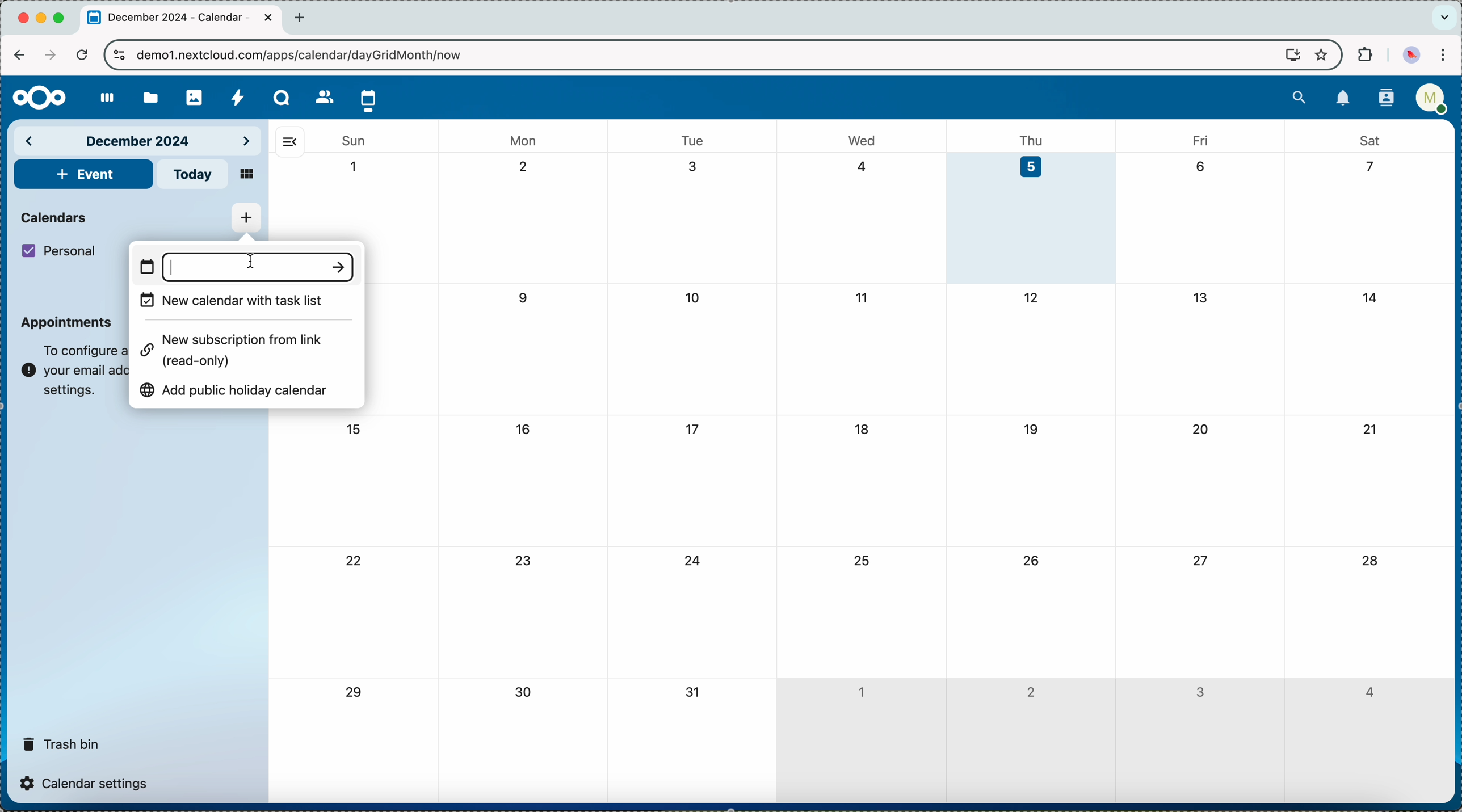 The image size is (1462, 812). What do you see at coordinates (694, 430) in the screenshot?
I see `17` at bounding box center [694, 430].